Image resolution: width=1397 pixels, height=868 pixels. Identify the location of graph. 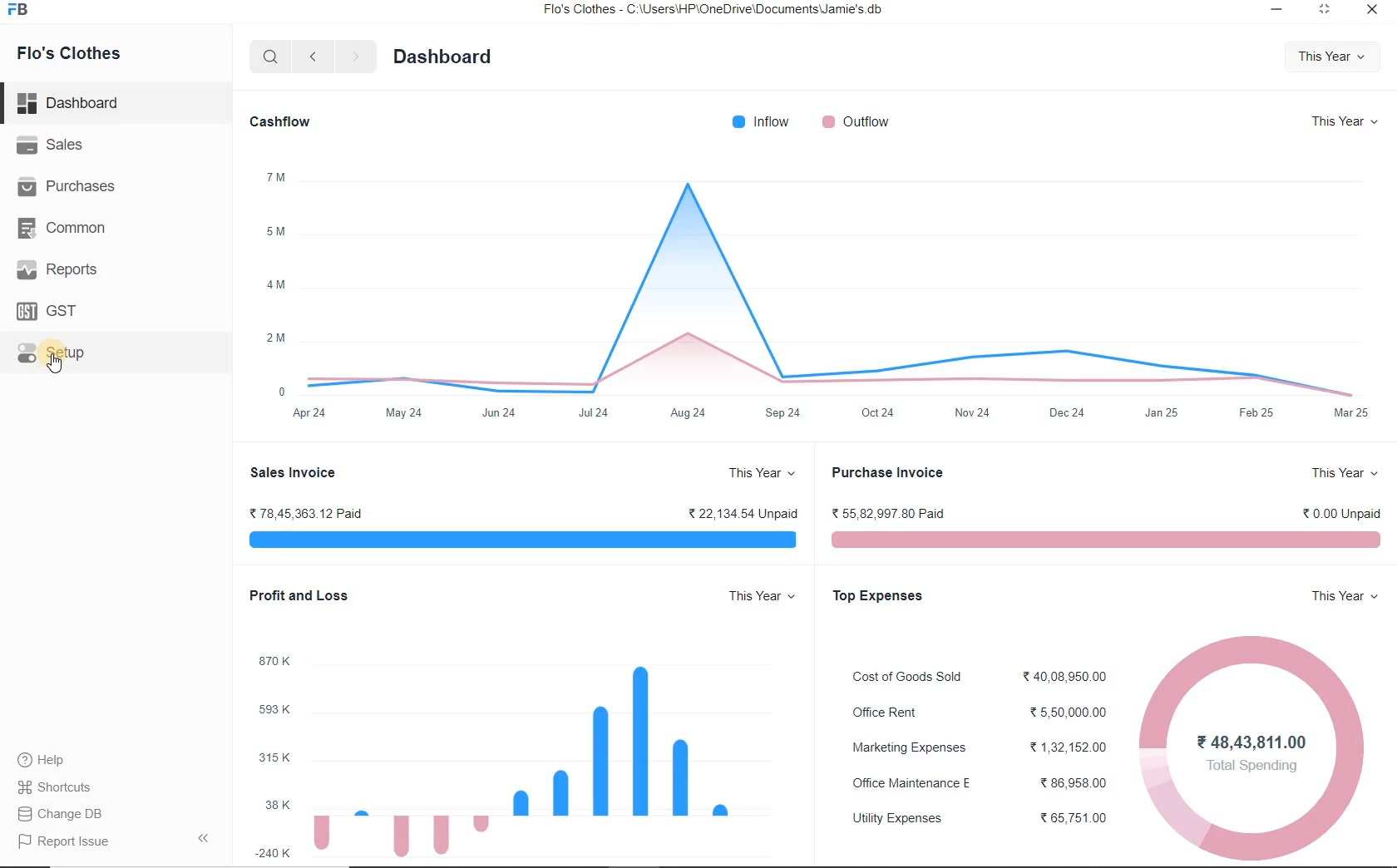
(530, 745).